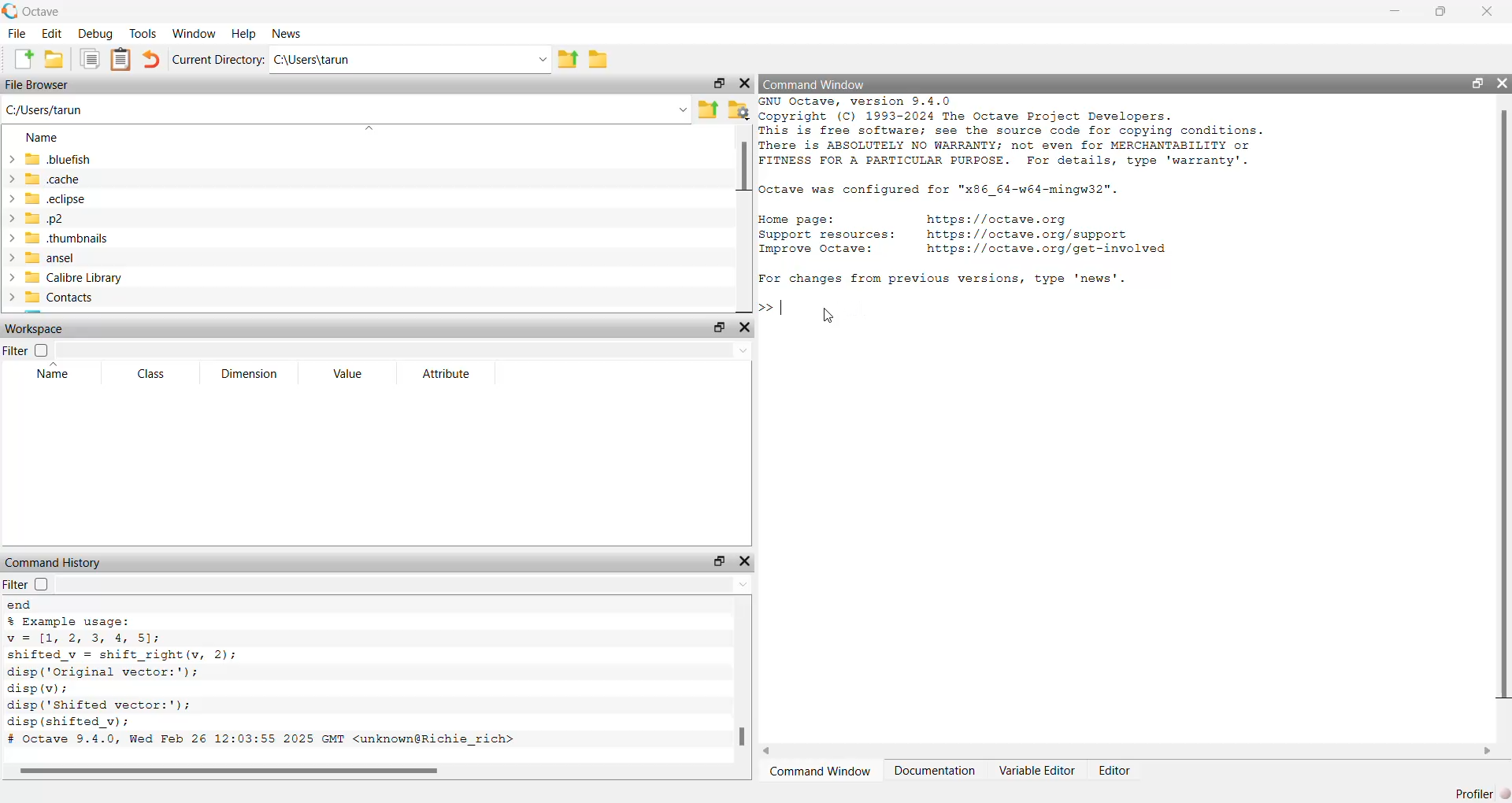 The width and height of the screenshot is (1512, 803). I want to click on end, so click(19, 606).